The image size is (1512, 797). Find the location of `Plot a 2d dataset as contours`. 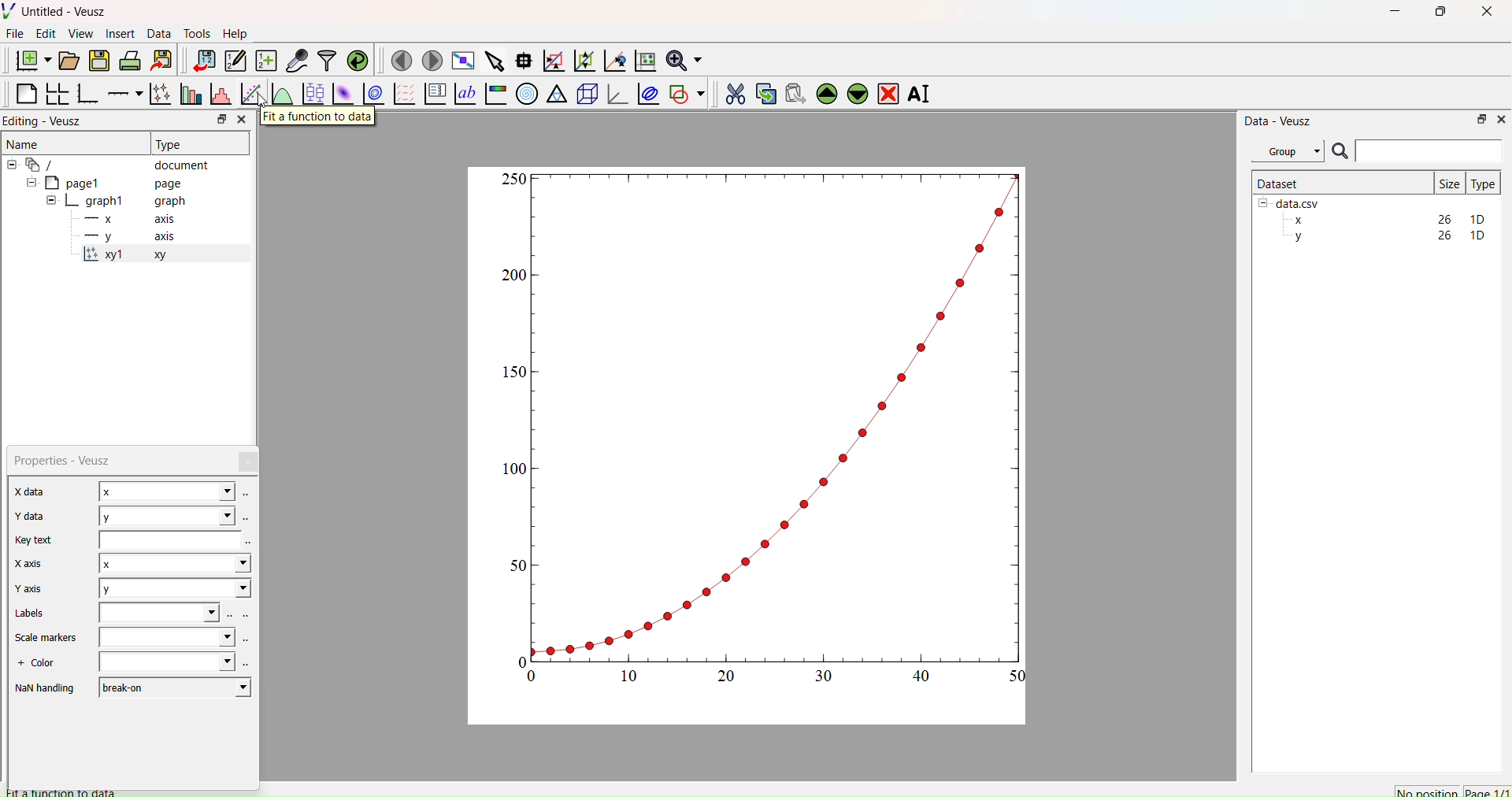

Plot a 2d dataset as contours is located at coordinates (372, 95).